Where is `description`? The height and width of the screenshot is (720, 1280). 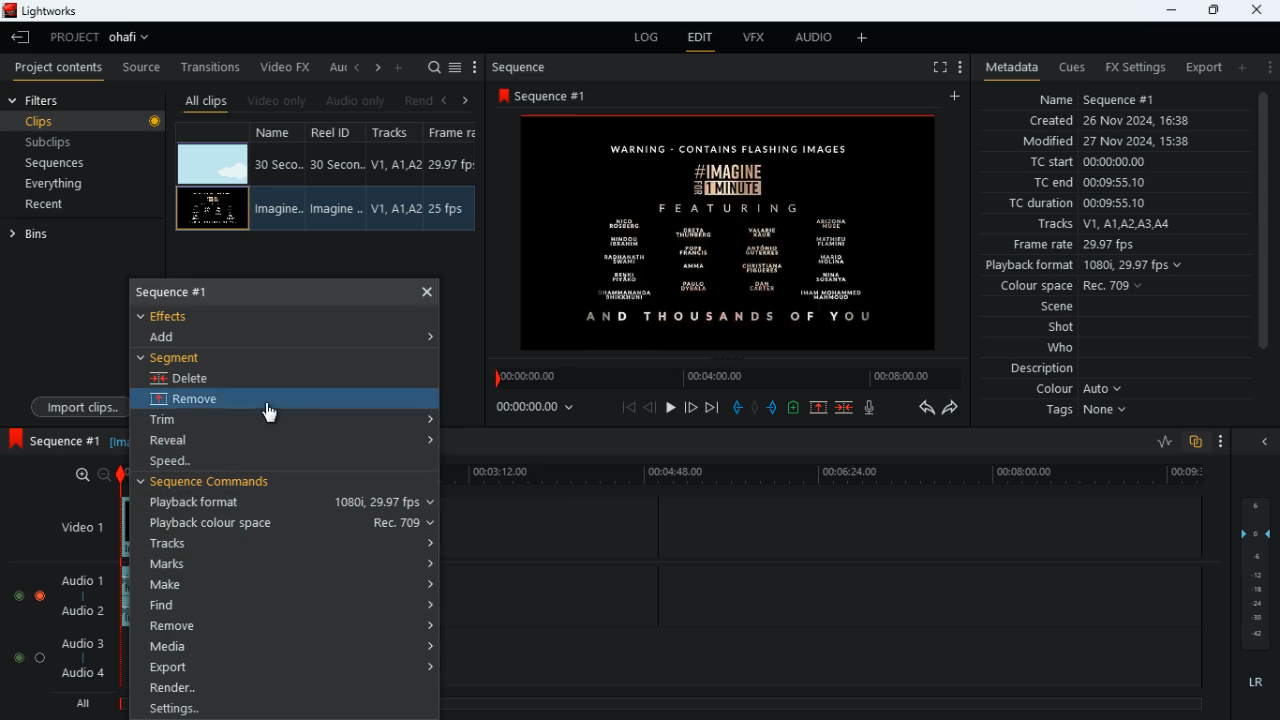 description is located at coordinates (1034, 370).